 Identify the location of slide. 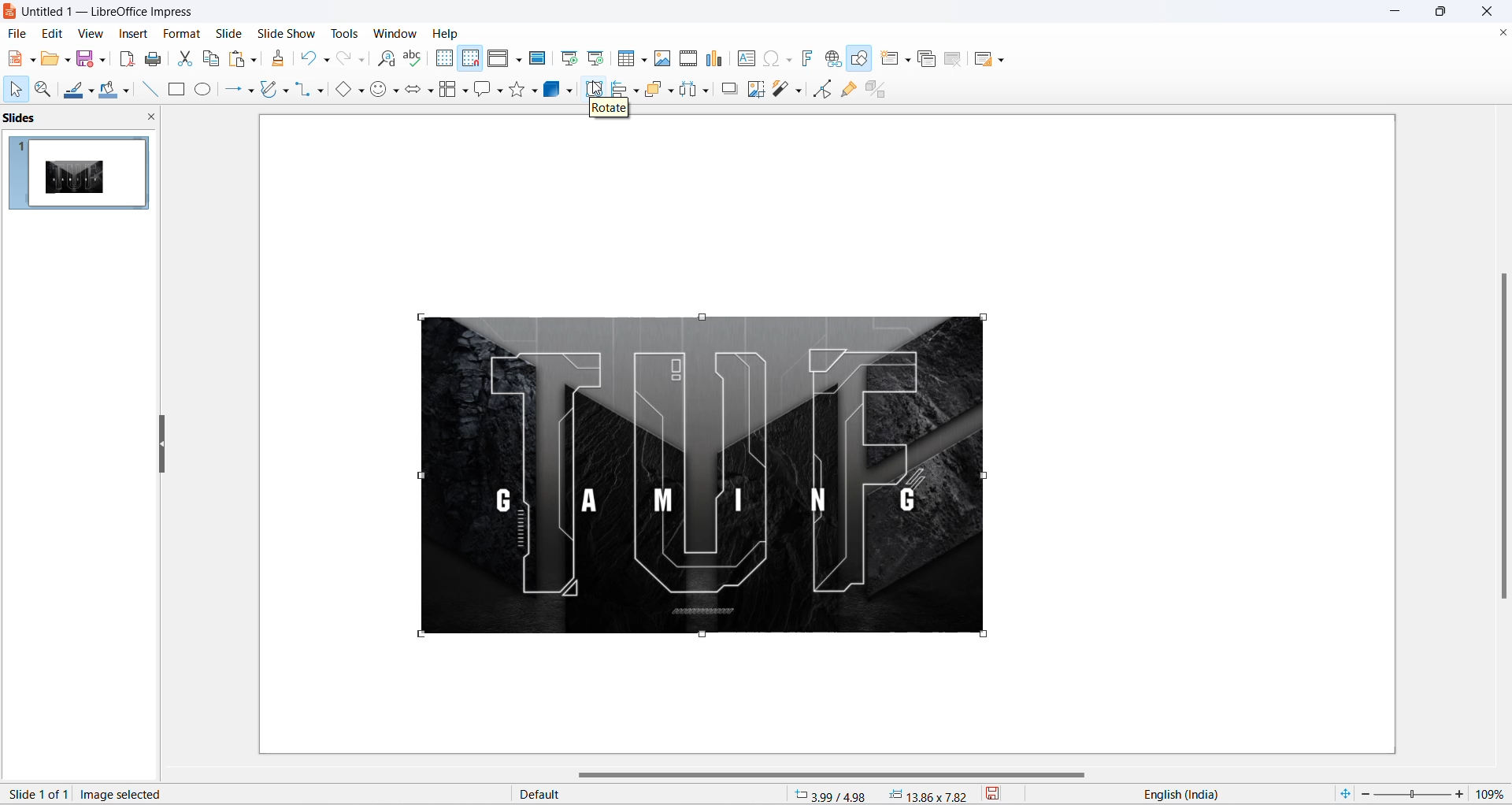
(229, 33).